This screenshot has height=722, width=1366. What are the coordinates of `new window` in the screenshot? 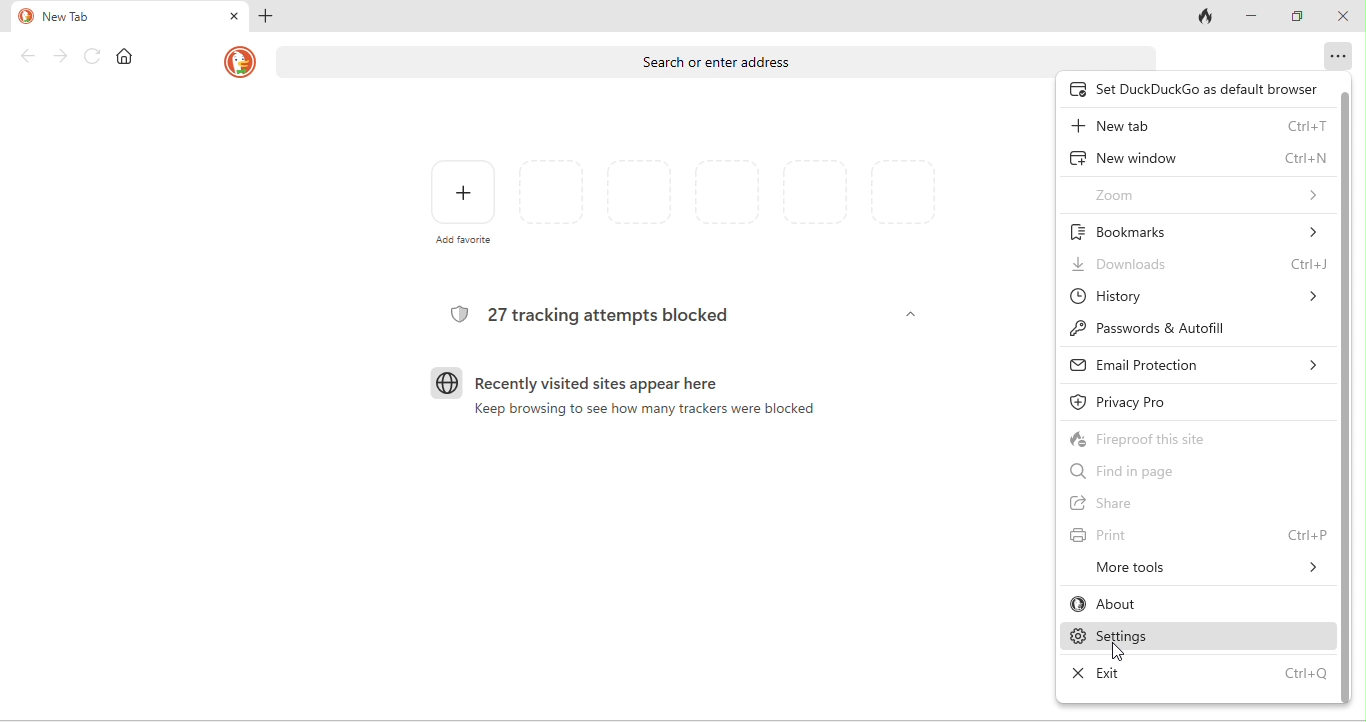 It's located at (1197, 157).